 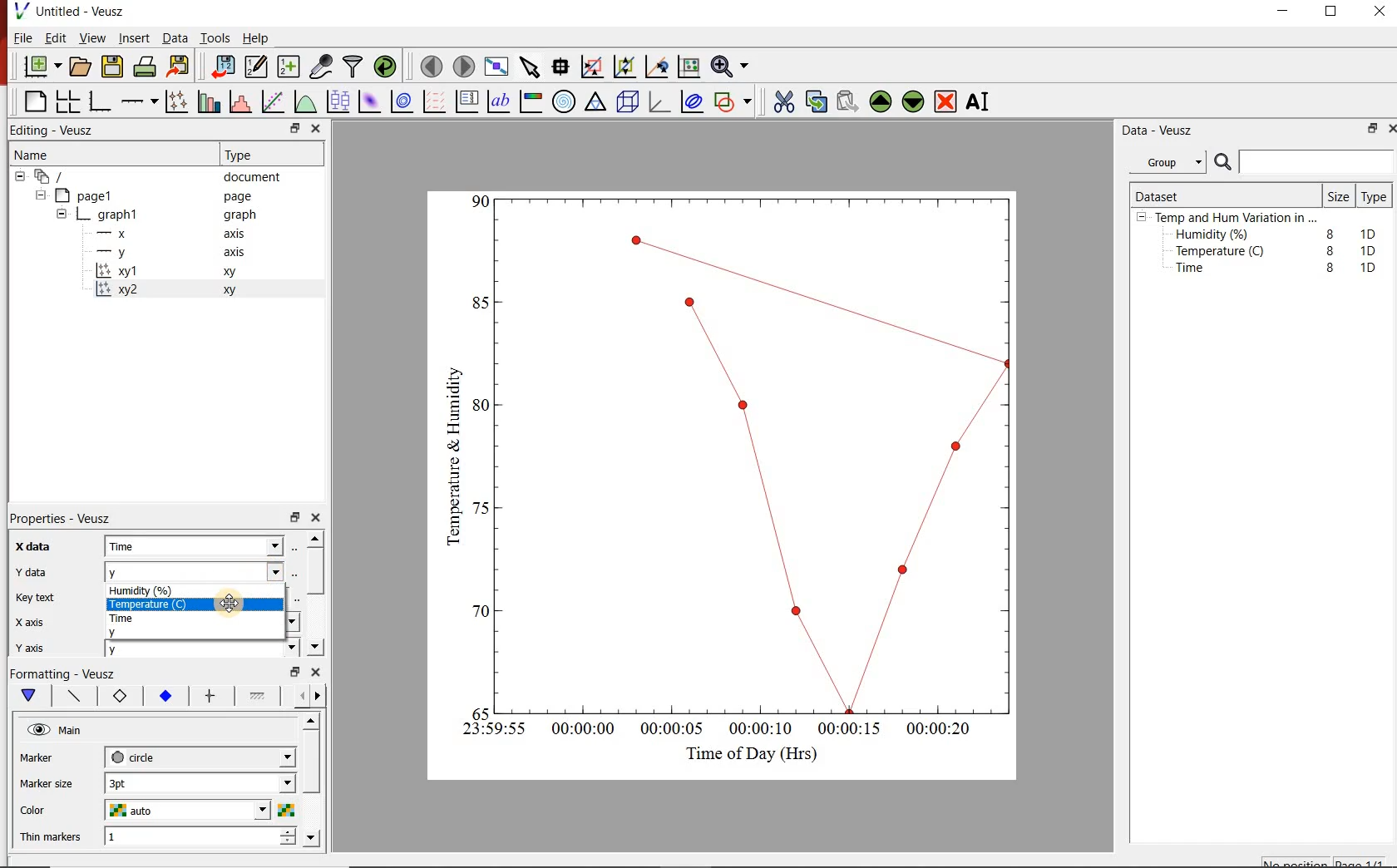 I want to click on arrange graphs in a grid, so click(x=70, y=99).